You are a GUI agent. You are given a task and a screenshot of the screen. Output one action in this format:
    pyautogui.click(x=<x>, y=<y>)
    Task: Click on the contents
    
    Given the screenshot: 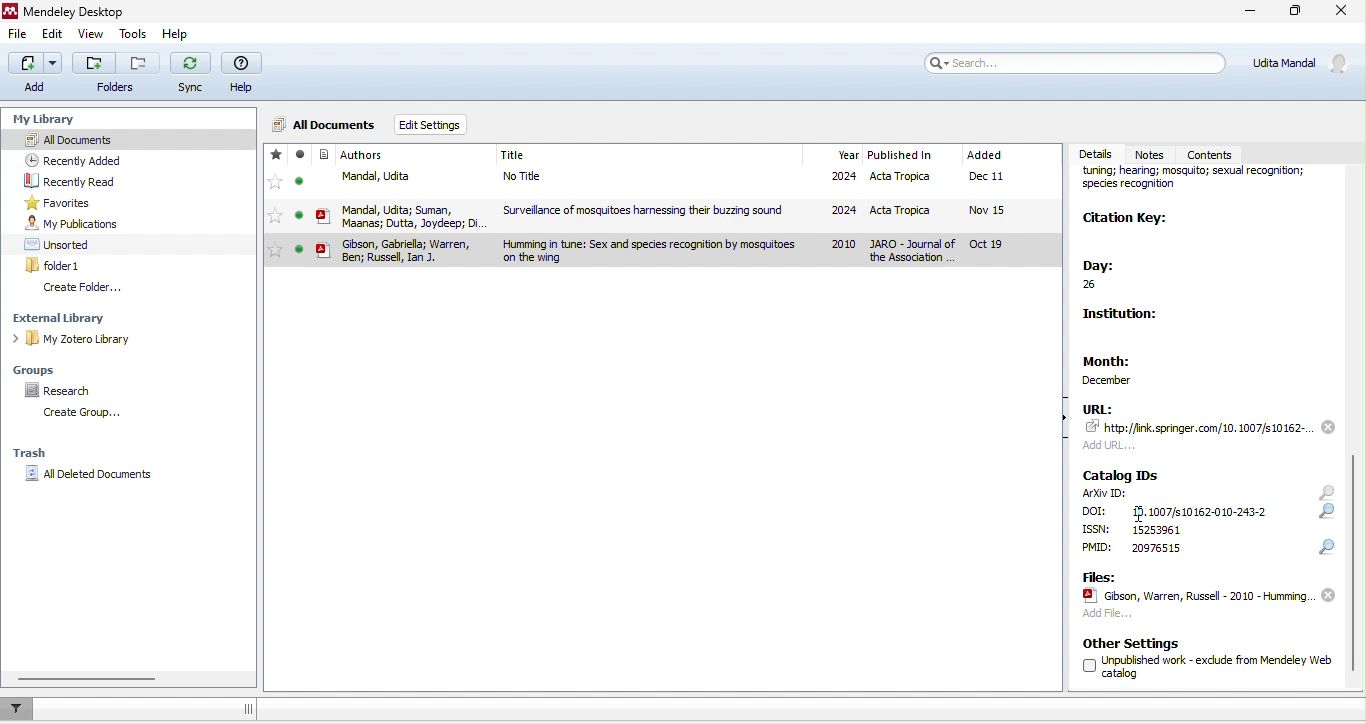 What is the action you would take?
    pyautogui.click(x=1219, y=152)
    